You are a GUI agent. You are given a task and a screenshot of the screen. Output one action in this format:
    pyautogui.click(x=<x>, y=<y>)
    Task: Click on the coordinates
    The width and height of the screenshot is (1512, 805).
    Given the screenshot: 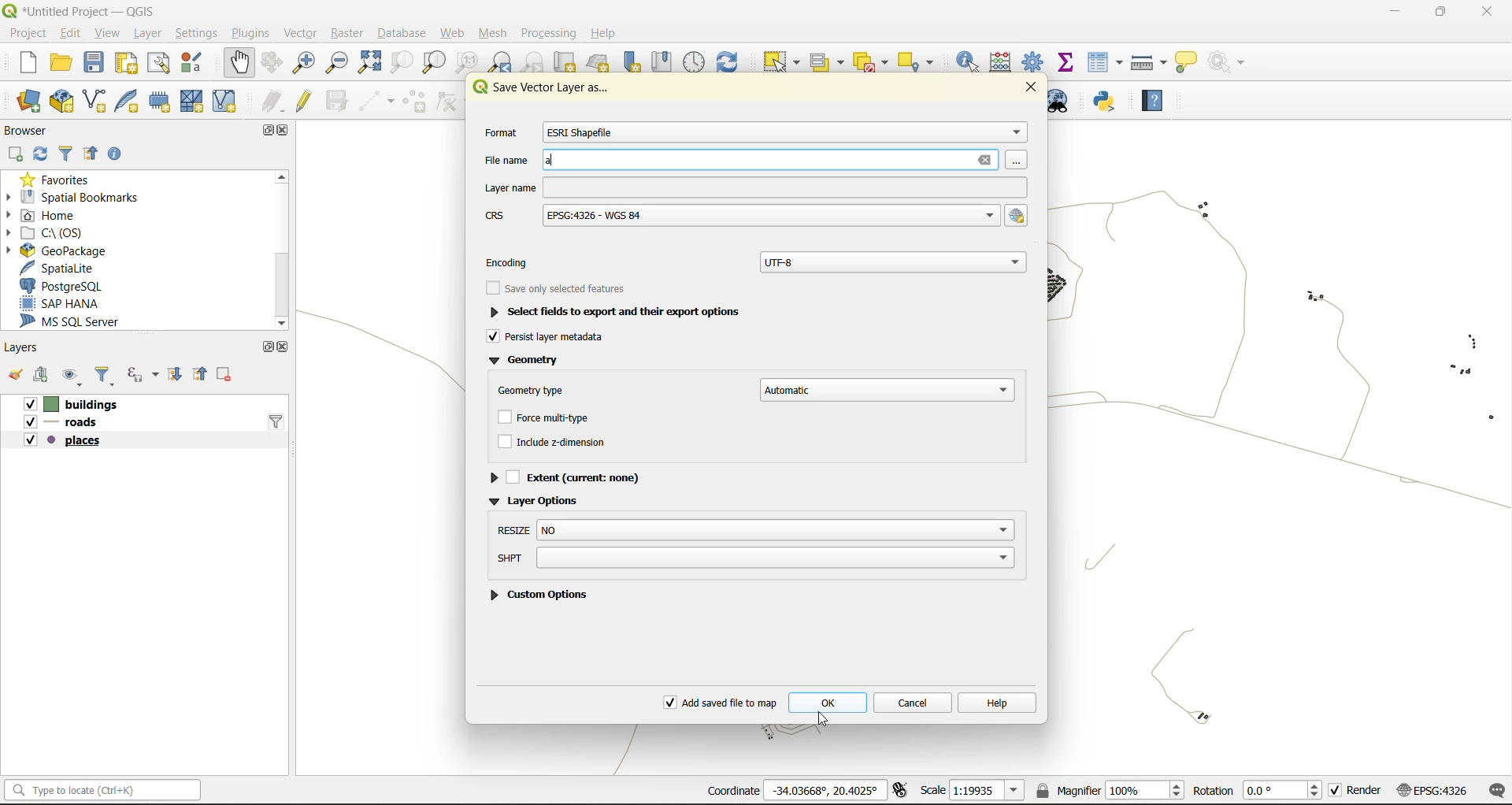 What is the action you would take?
    pyautogui.click(x=795, y=790)
    